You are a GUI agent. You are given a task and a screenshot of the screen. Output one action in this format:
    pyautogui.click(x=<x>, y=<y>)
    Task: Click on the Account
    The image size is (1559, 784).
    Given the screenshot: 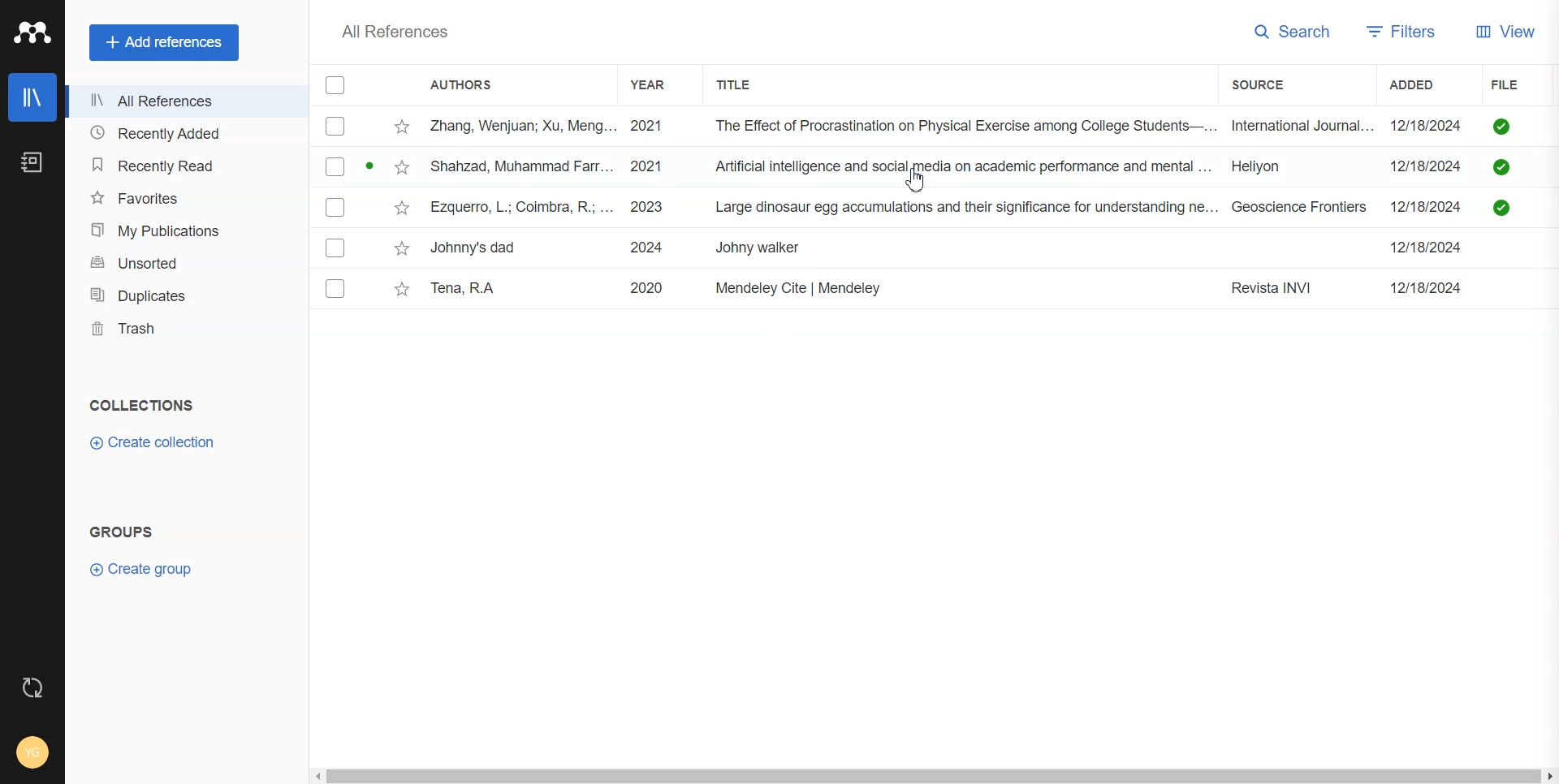 What is the action you would take?
    pyautogui.click(x=32, y=754)
    